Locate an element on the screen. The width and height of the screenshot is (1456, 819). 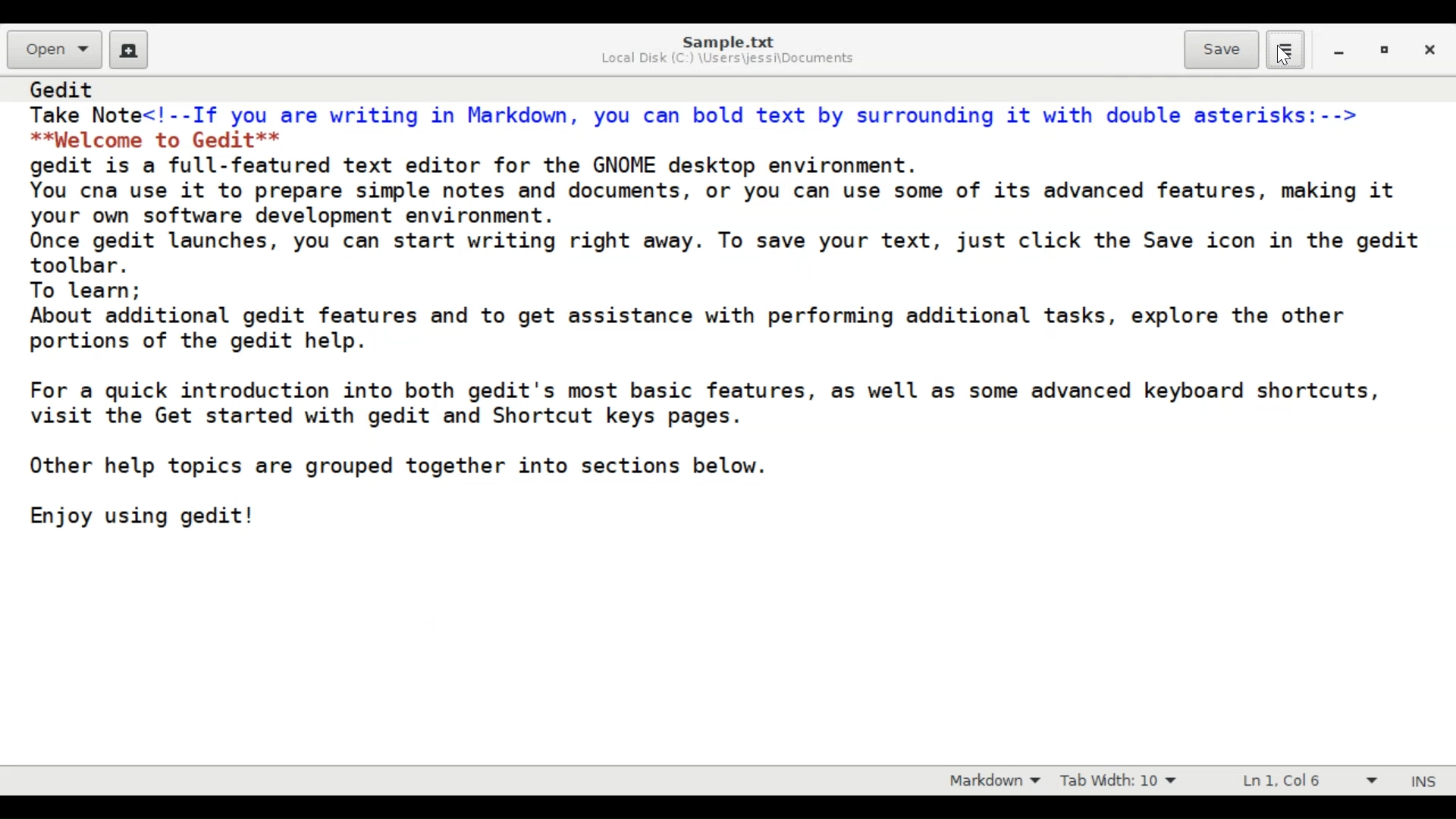
Gedit

Take Note<!--If you are writing in Markdown, you can bold text by surrounding it with double asterisks:-->
**Welcome to Gedit**

gedit is a full-featured text editor for the GNOME desktop environment.

You cna use it to prepare simple notes and documents, or you can use some of its advanced features, making it
your own software development environment.

Once gedit launches, you can start writing right away. To save your text, just click the Save icon in the gedit
toolbar.

To learn;

About additional gedit features and to get assistance with performing additional tasks, explore the other
portions of the gedit help.

For a quick introduction into both gedit's most basic features, as well as some advanced keyboard shortcuts,
visit the Get started with gedit and Shortcut keys pages.

Other help topics are grouped together into sections below.

Enjoy using gedit! is located at coordinates (724, 313).